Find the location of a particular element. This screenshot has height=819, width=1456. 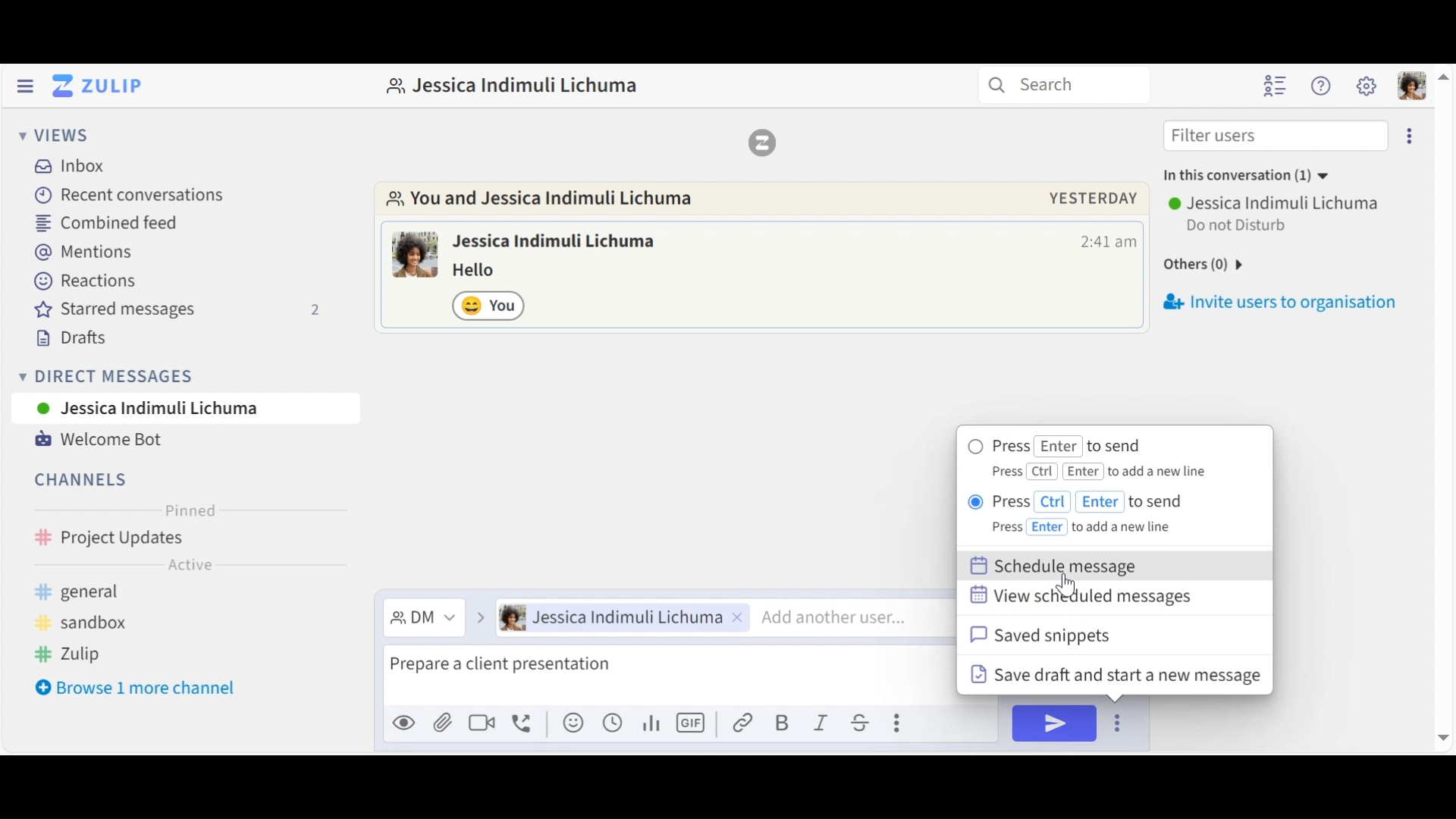

Views is located at coordinates (54, 136).